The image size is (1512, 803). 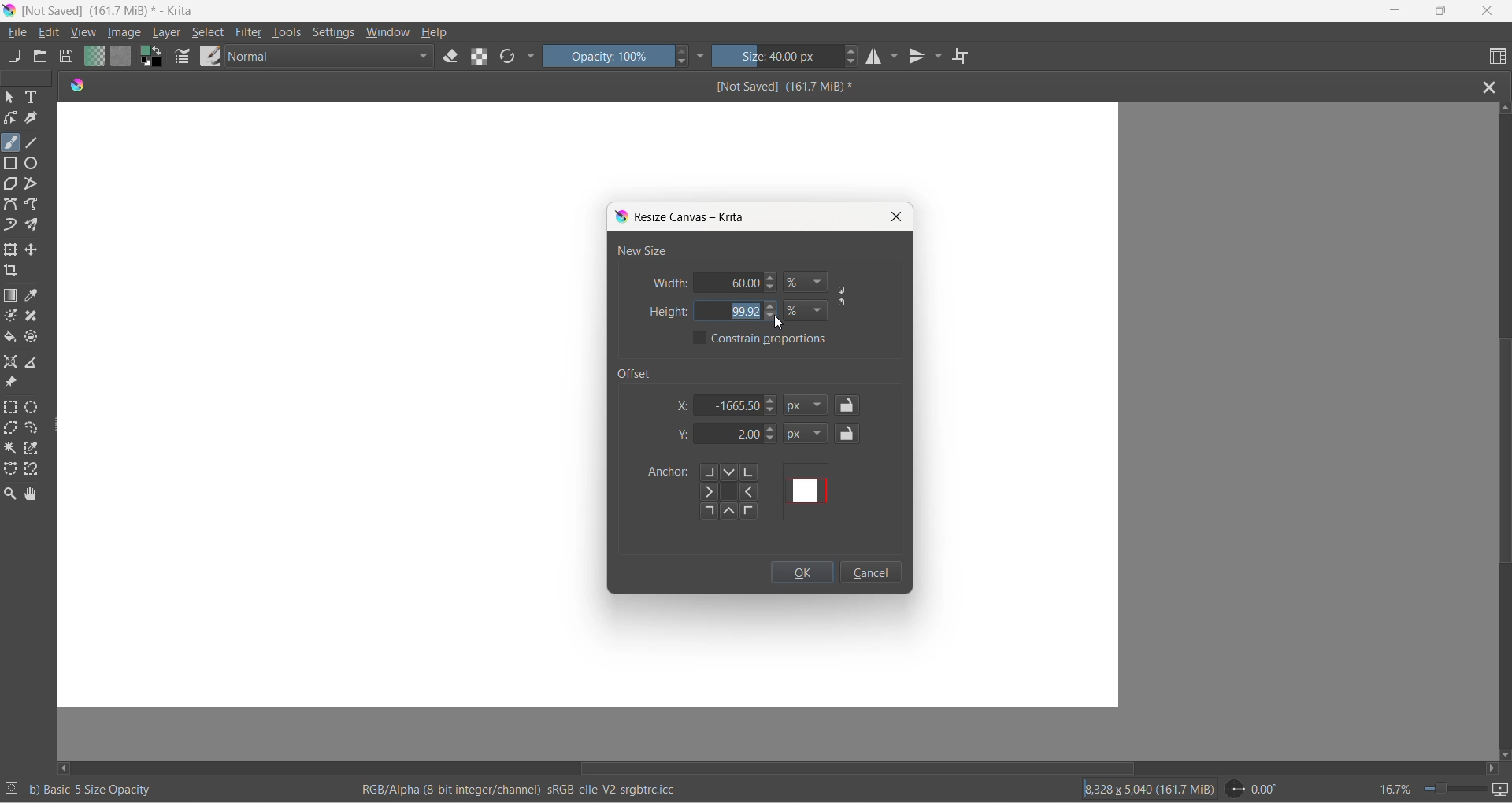 What do you see at coordinates (683, 52) in the screenshot?
I see `increment opacity` at bounding box center [683, 52].